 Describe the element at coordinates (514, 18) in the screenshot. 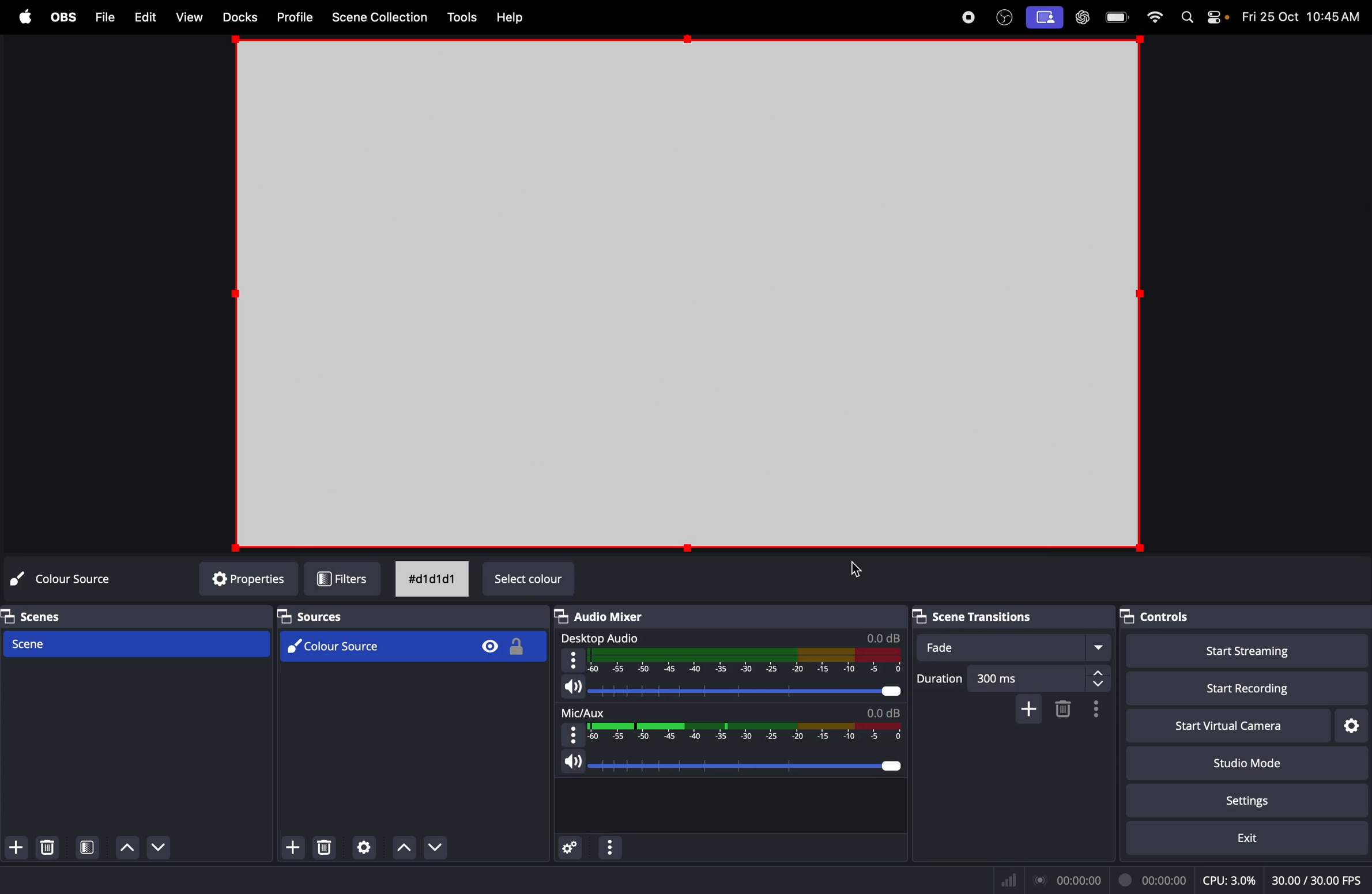

I see `help` at that location.